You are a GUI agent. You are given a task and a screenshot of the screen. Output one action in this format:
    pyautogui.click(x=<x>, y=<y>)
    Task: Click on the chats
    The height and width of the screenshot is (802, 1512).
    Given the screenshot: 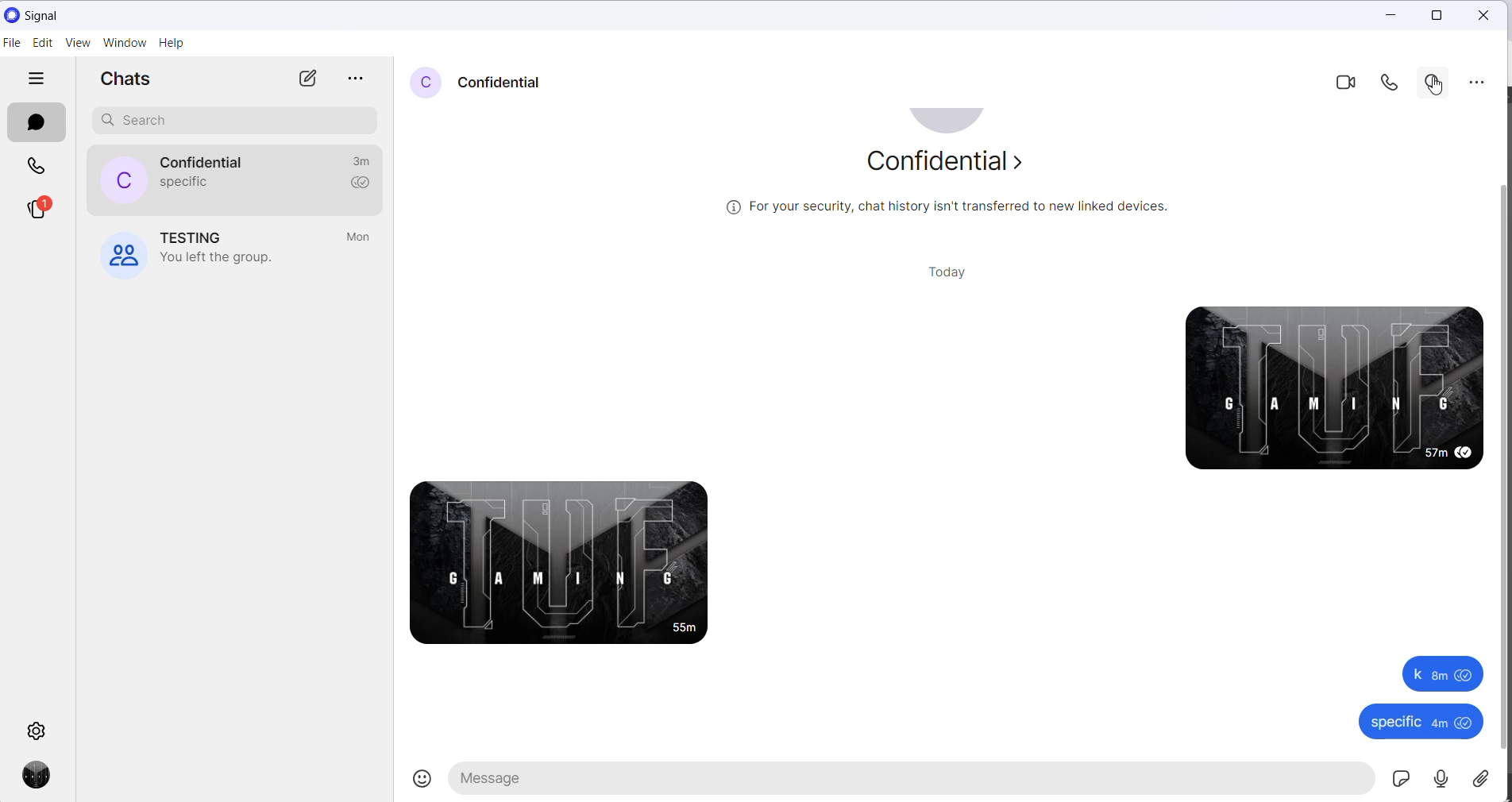 What is the action you would take?
    pyautogui.click(x=36, y=122)
    